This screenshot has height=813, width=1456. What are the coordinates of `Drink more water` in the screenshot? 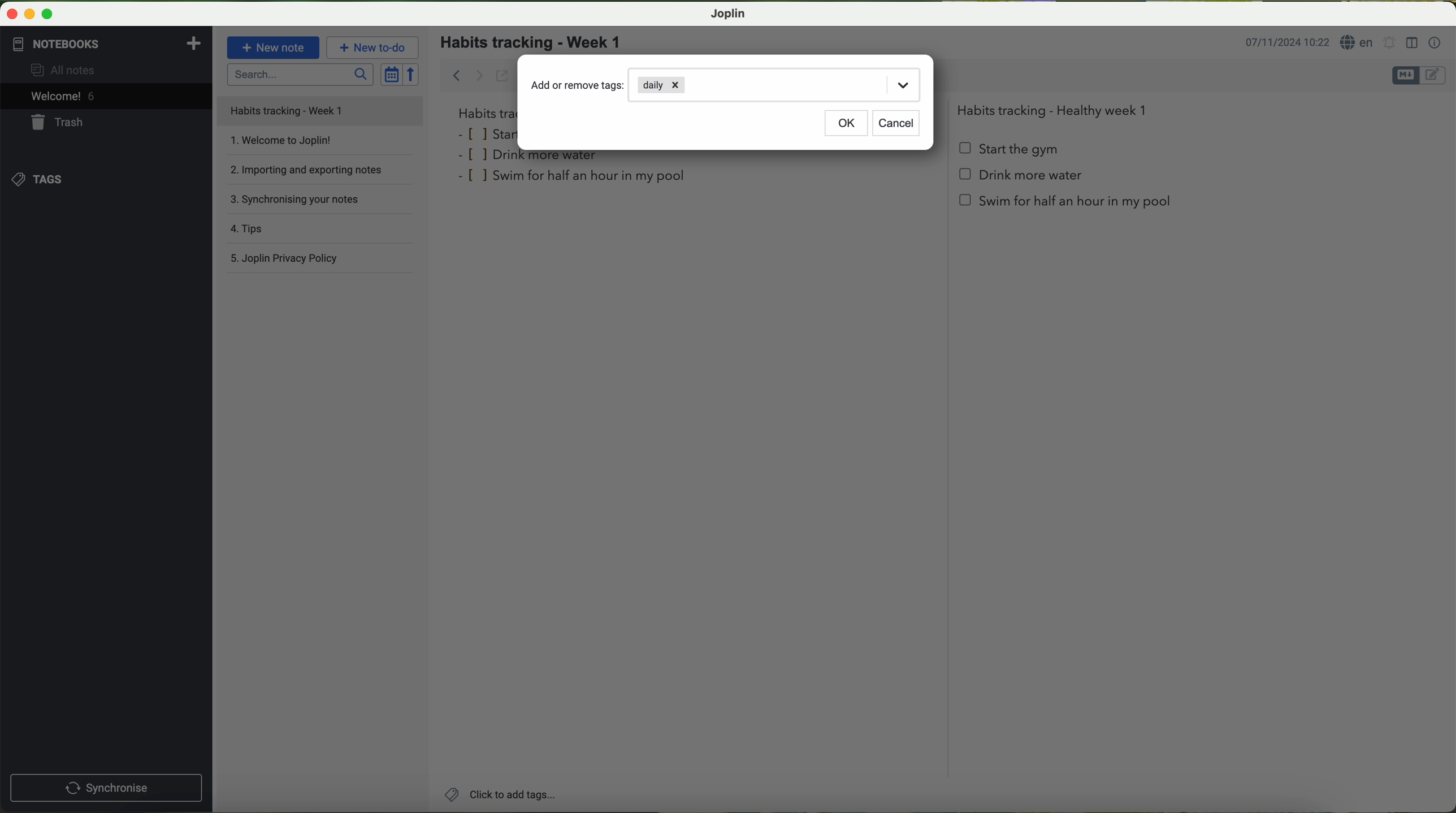 It's located at (1021, 179).